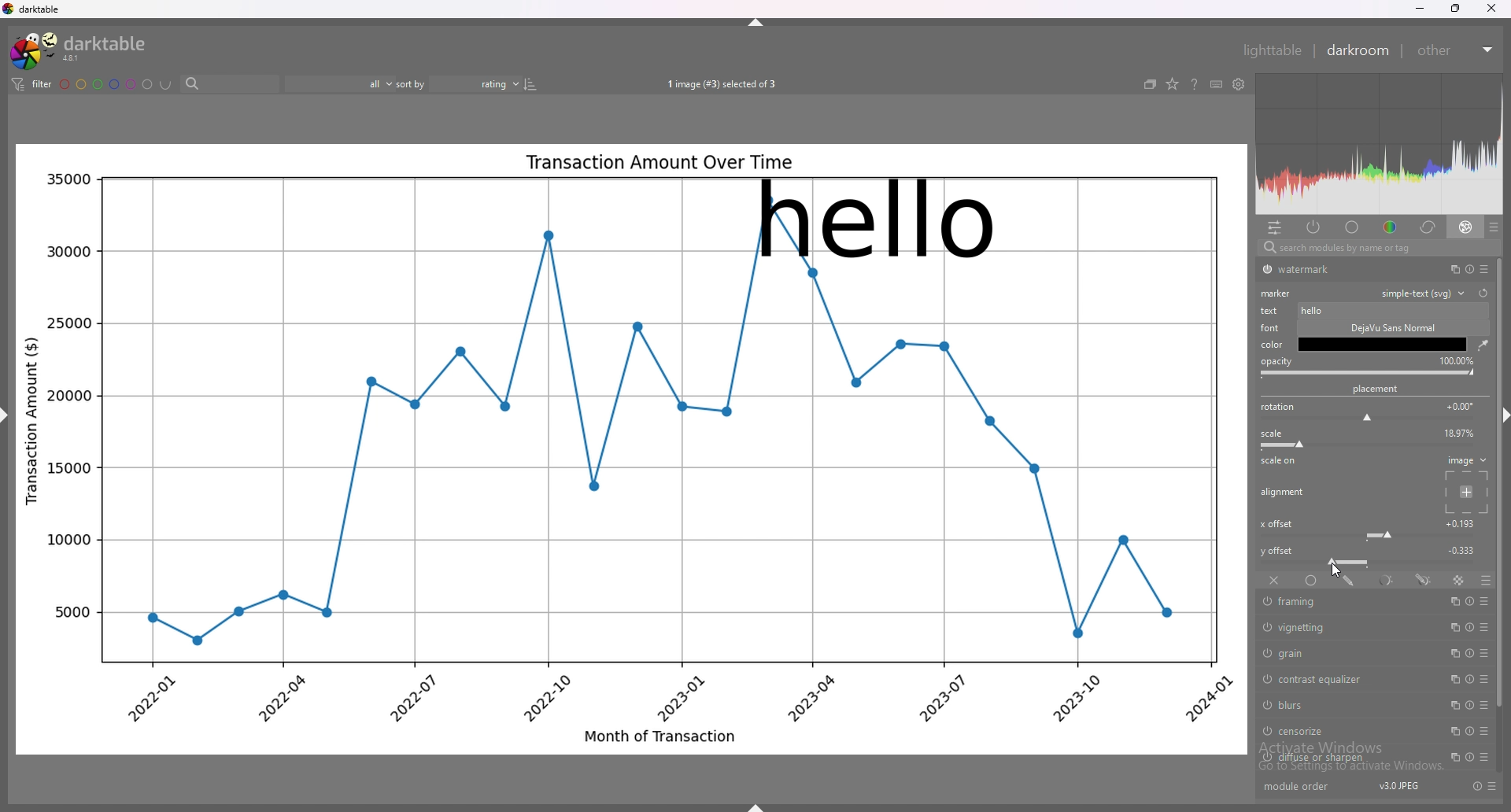 This screenshot has height=812, width=1511. I want to click on module order, so click(1304, 788).